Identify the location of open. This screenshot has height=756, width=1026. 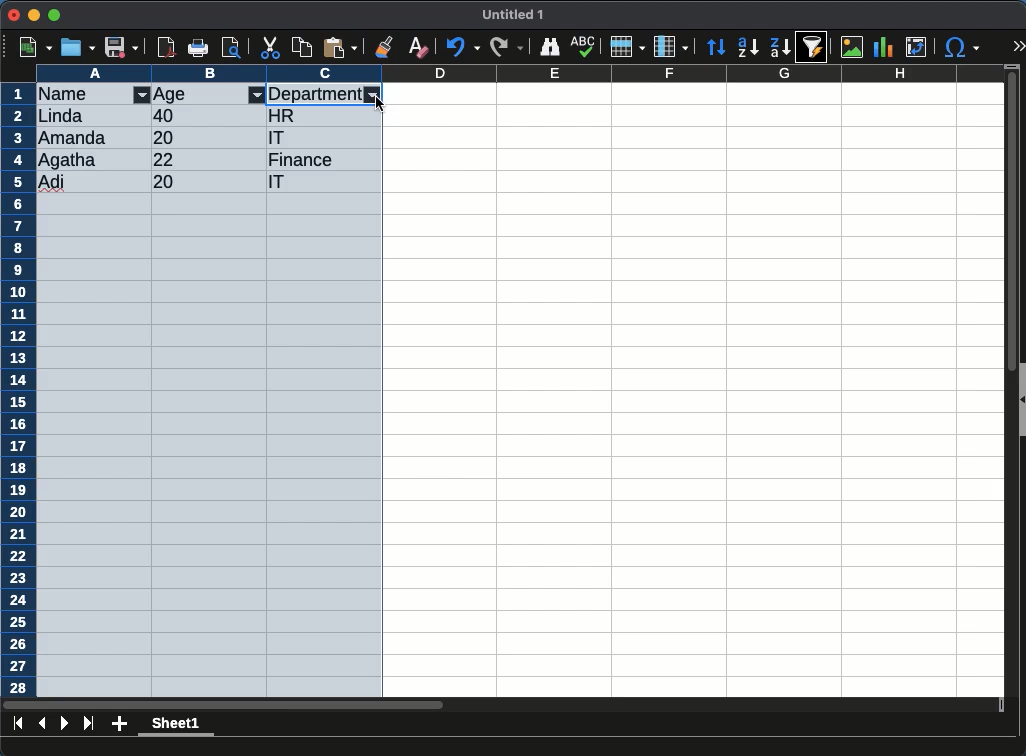
(78, 47).